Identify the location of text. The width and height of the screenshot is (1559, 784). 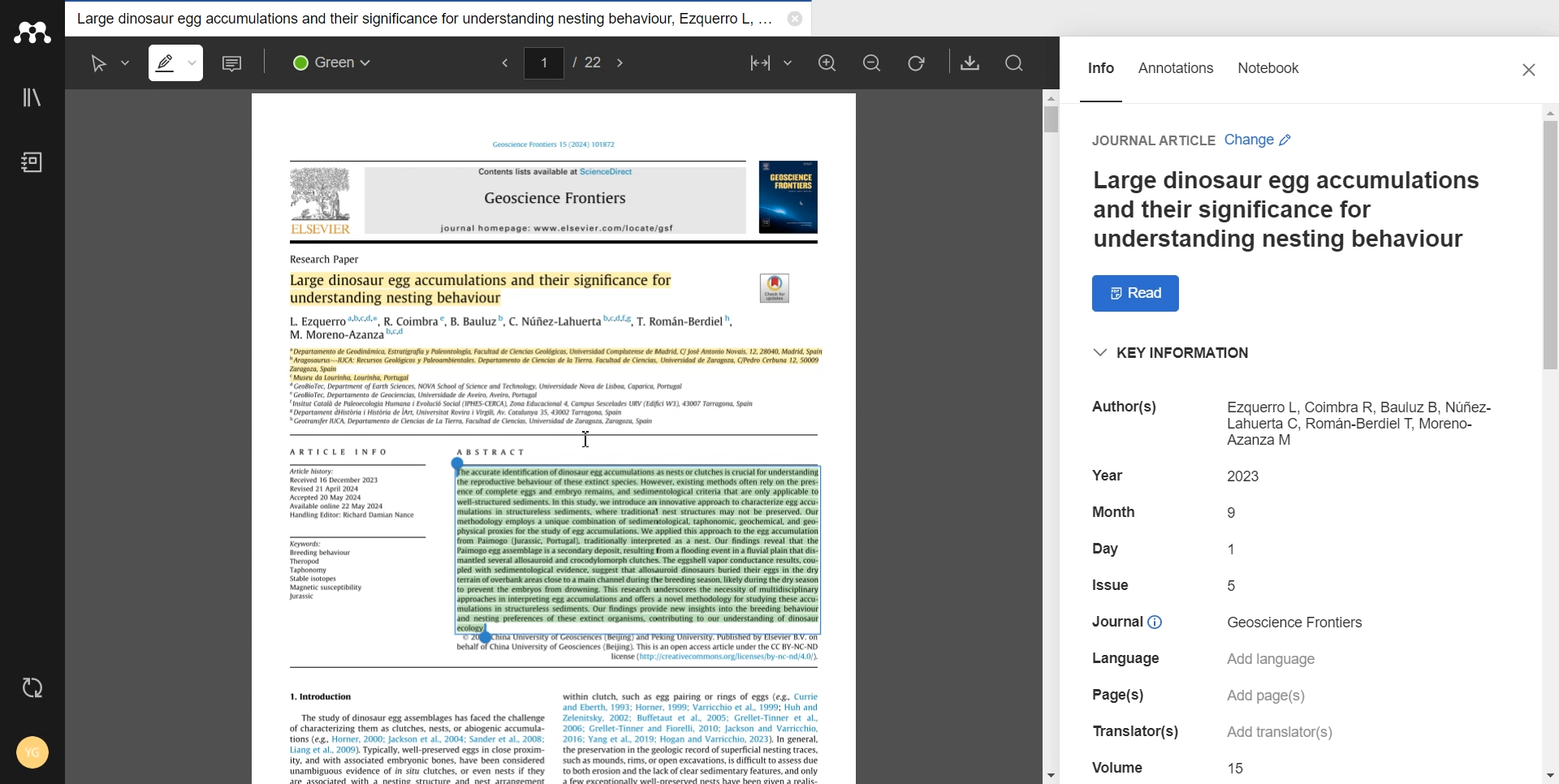
(1235, 585).